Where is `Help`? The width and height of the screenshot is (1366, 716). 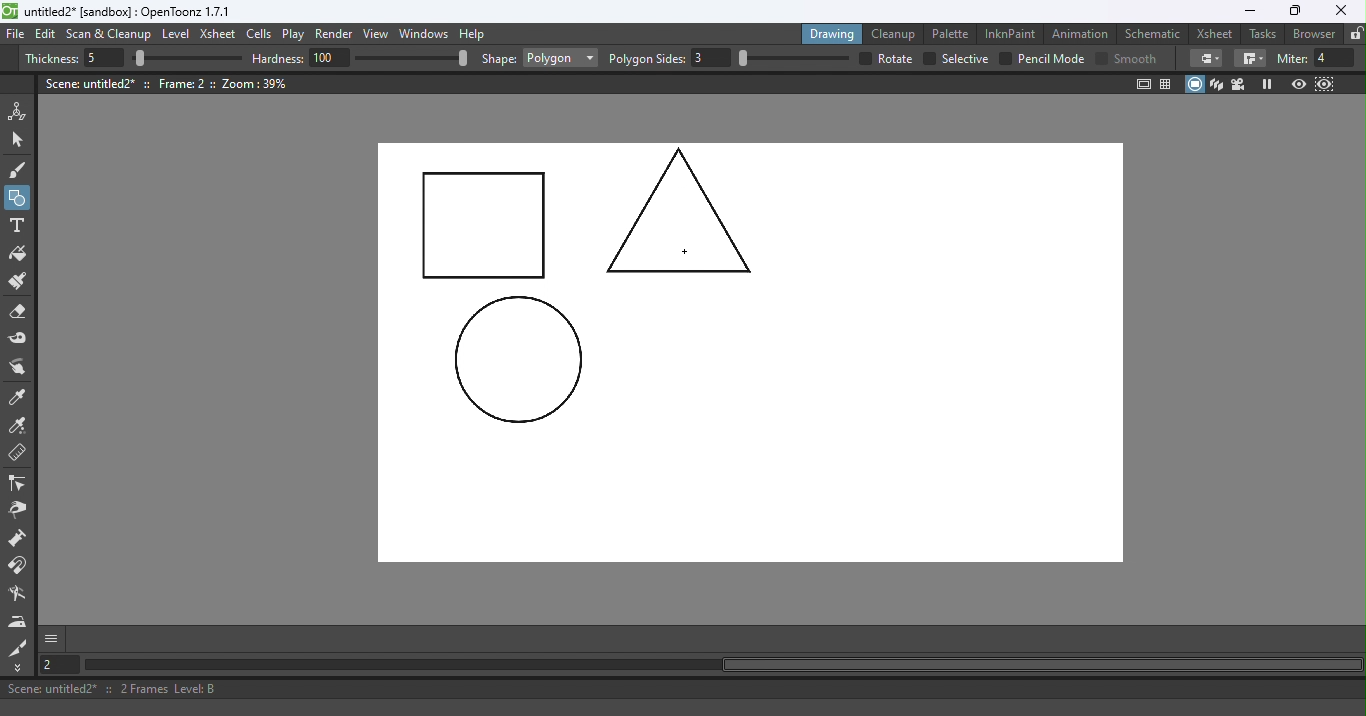
Help is located at coordinates (475, 33).